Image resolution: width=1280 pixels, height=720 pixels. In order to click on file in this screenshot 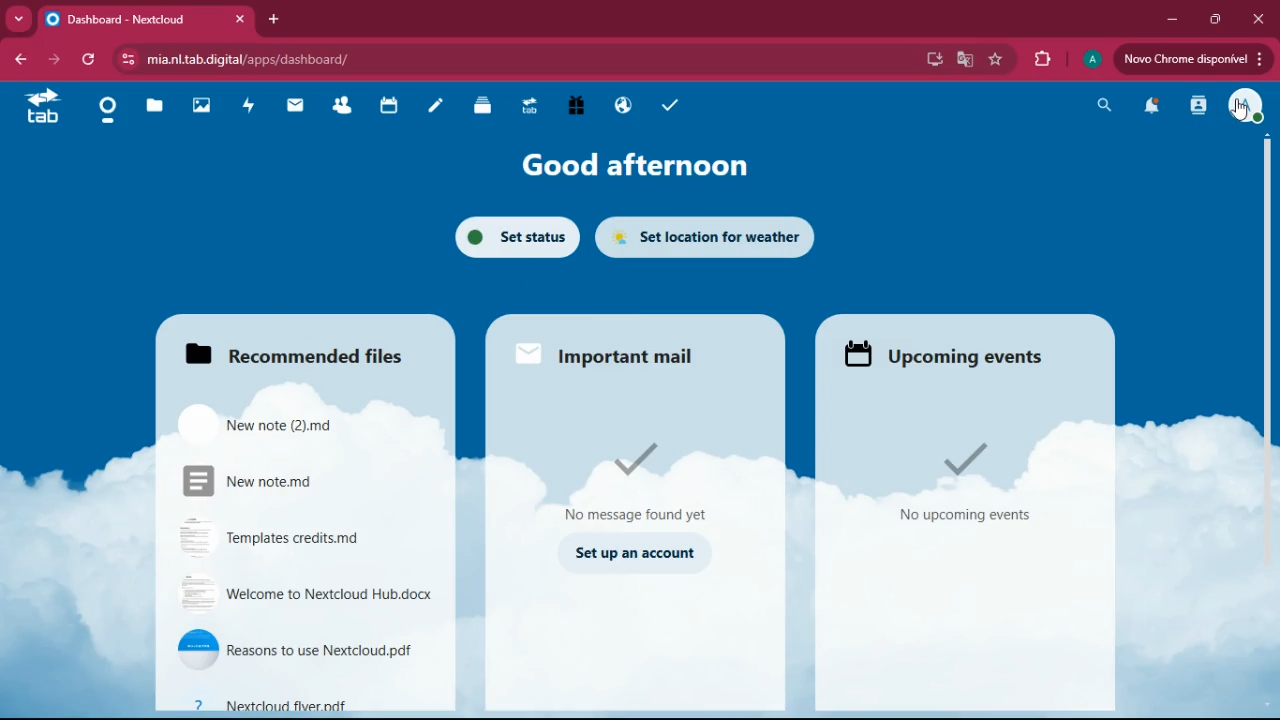, I will do `click(296, 650)`.